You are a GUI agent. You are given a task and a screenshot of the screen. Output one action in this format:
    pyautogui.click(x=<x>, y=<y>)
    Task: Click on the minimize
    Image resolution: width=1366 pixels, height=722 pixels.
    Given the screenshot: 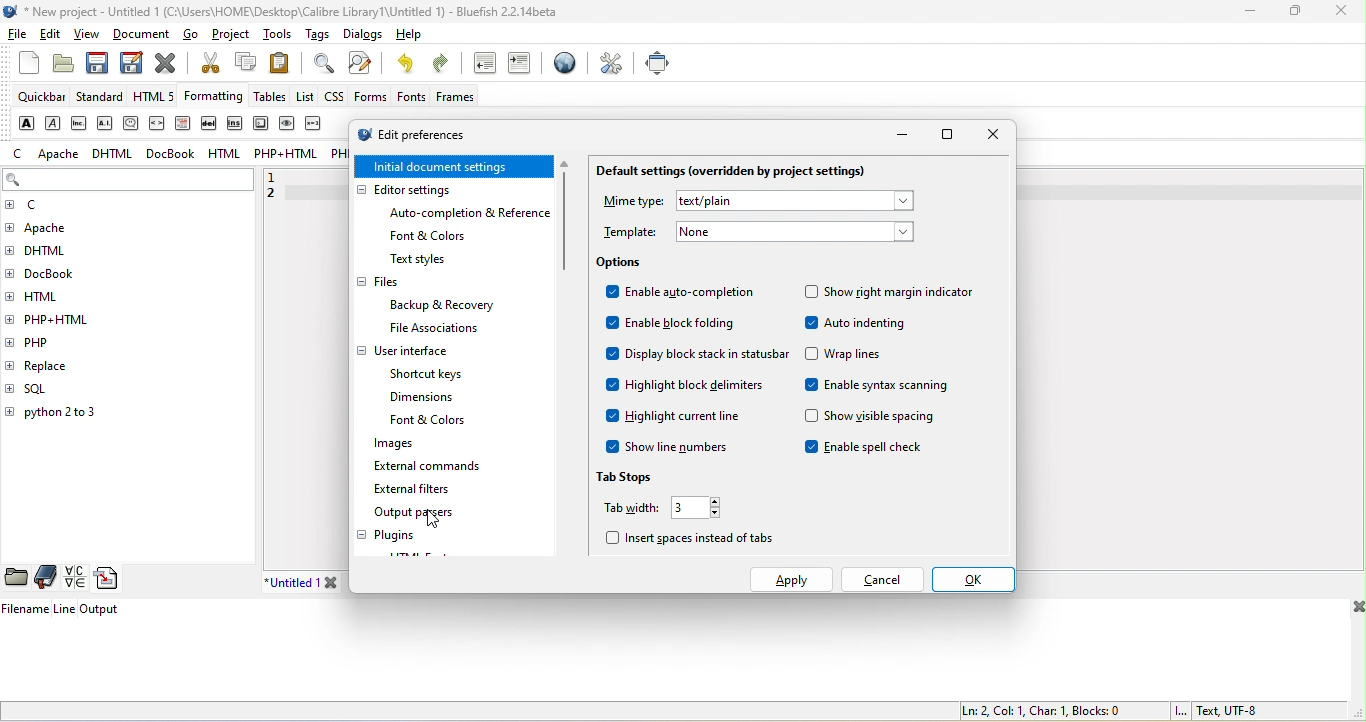 What is the action you would take?
    pyautogui.click(x=904, y=136)
    